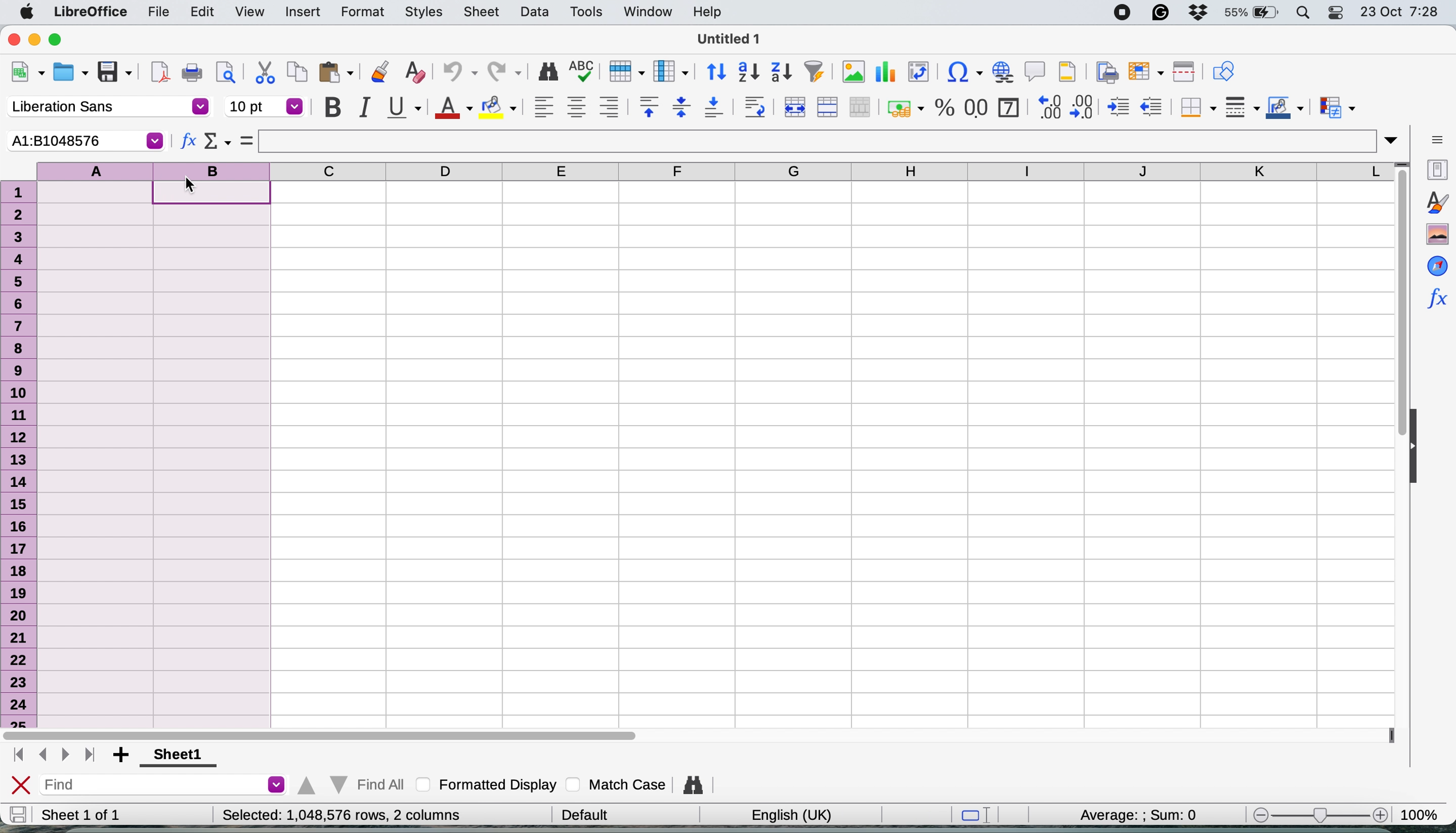 This screenshot has height=833, width=1456. I want to click on align bottom, so click(719, 108).